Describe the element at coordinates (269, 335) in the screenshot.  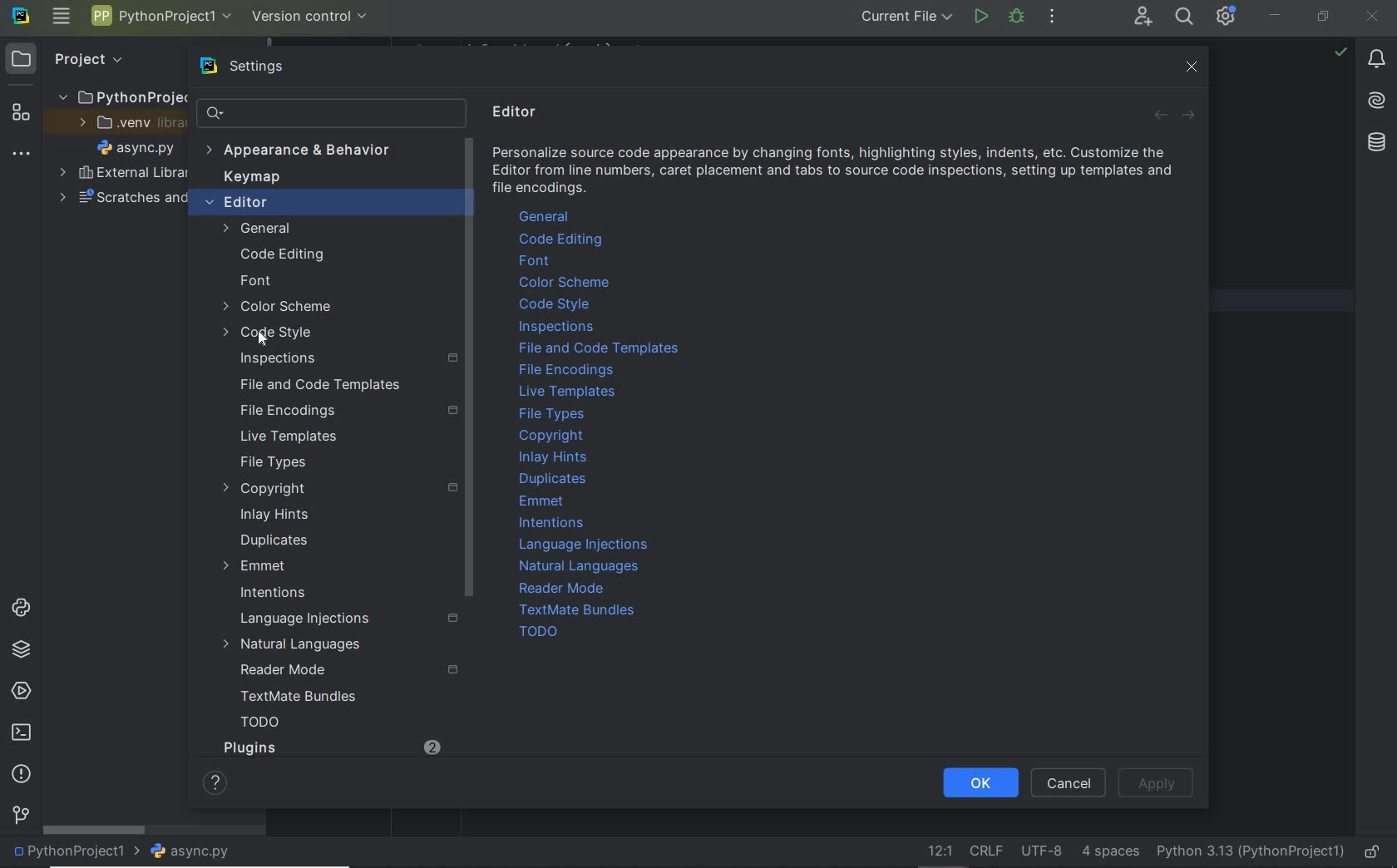
I see `code style` at that location.